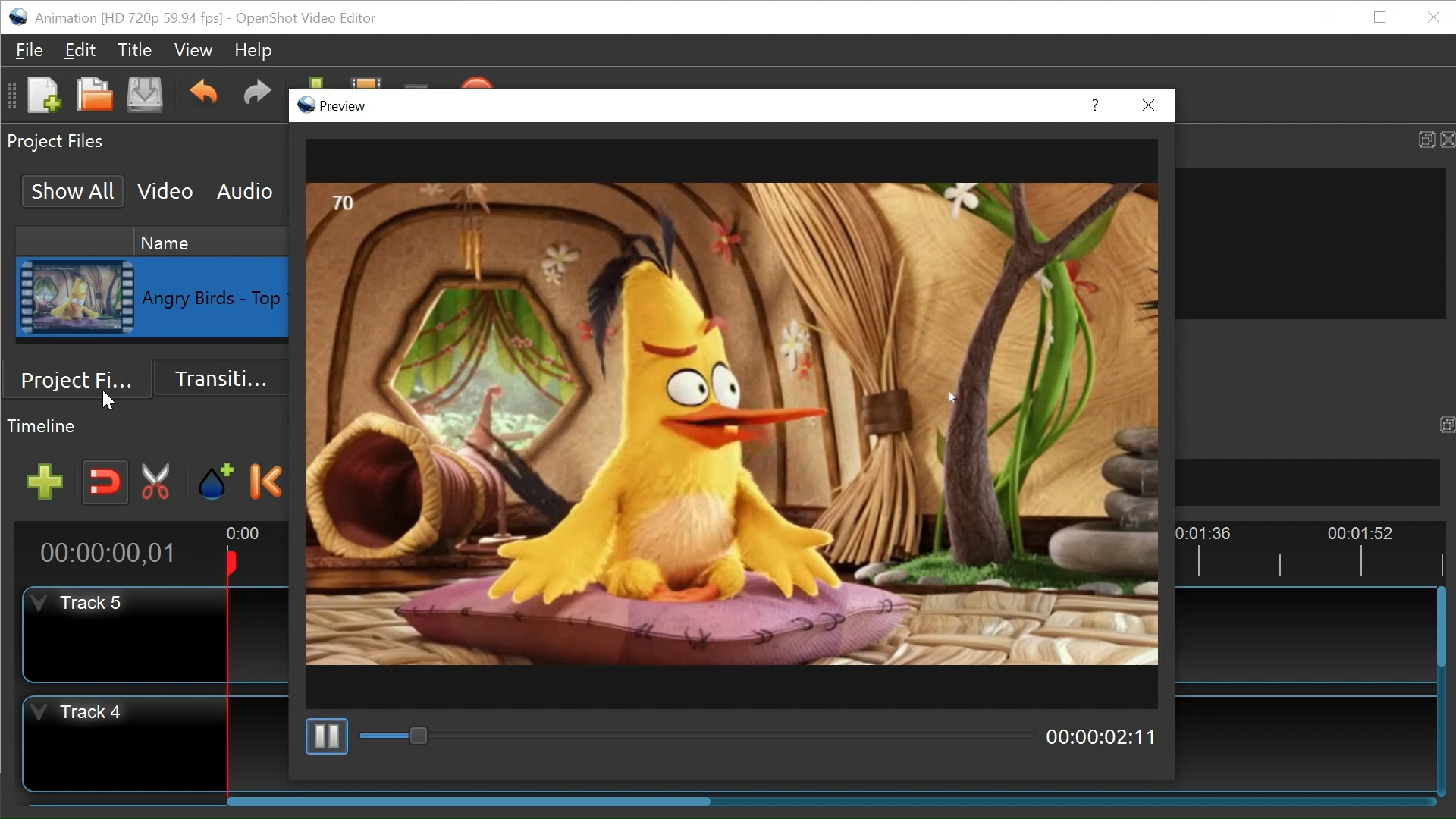 Image resolution: width=1456 pixels, height=819 pixels. Describe the element at coordinates (1423, 136) in the screenshot. I see `Maximize` at that location.